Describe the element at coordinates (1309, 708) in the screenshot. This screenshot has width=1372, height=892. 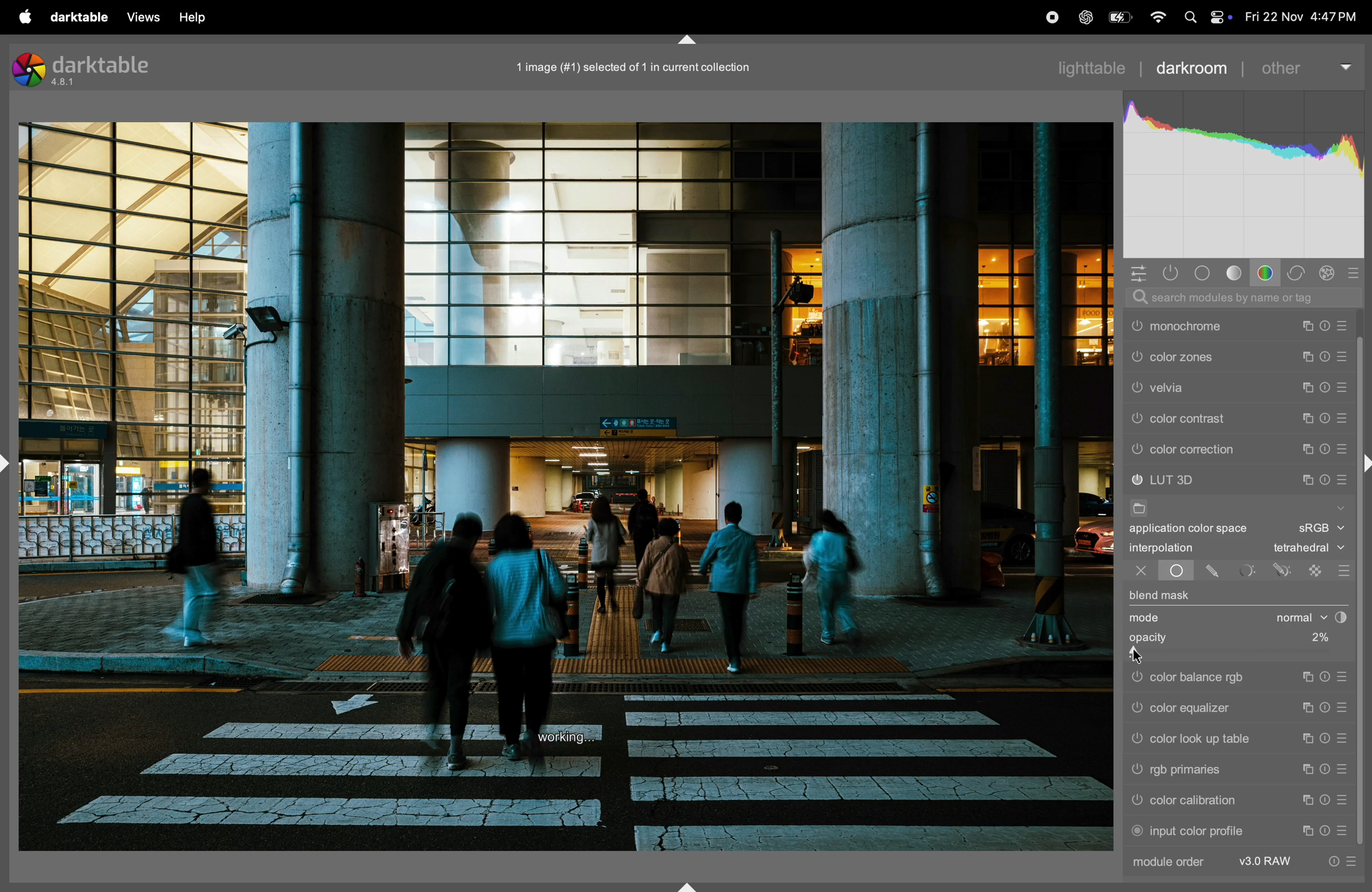
I see `multiple instance actions` at that location.